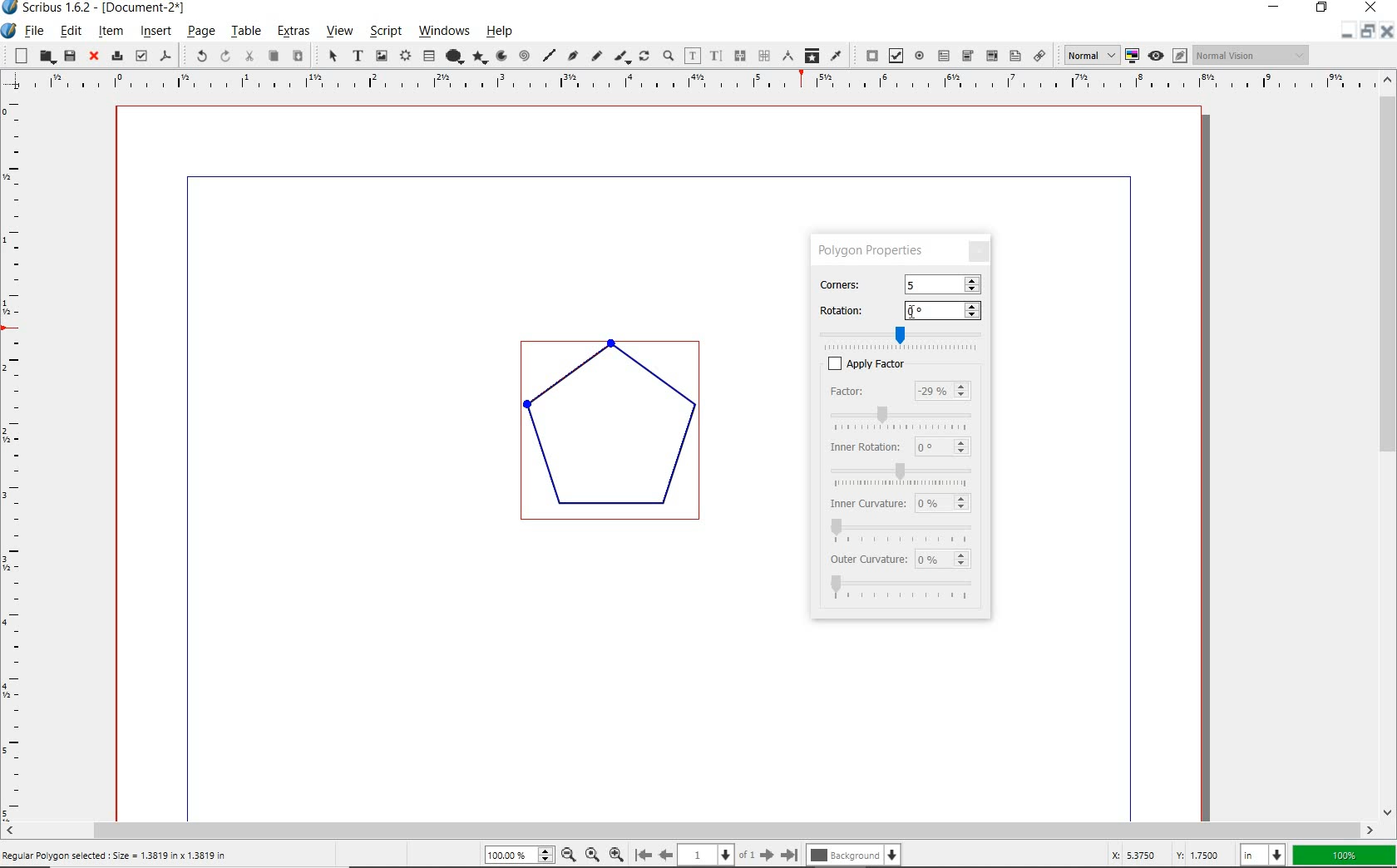  Describe the element at coordinates (1133, 55) in the screenshot. I see `toggle color` at that location.